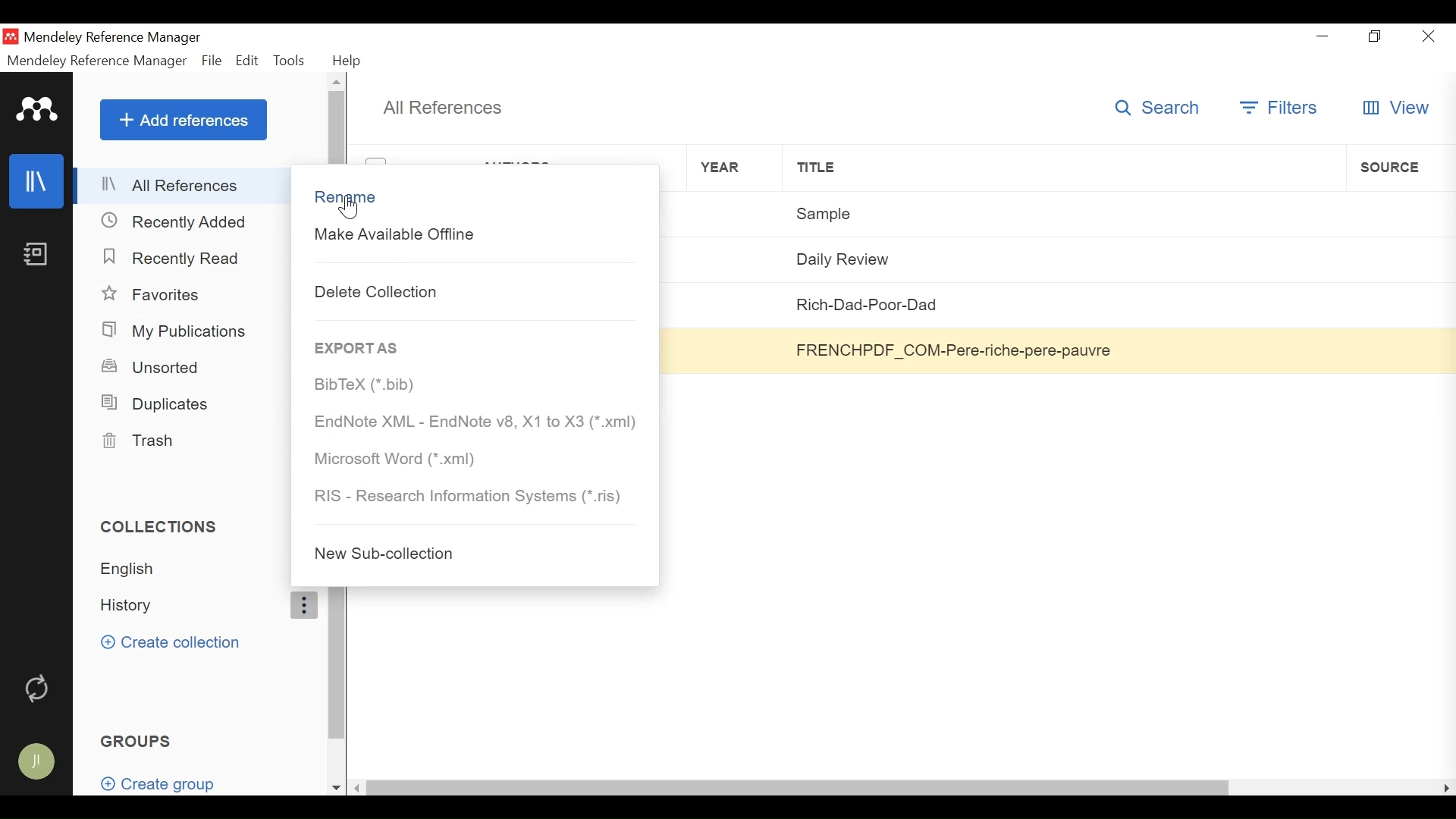 The height and width of the screenshot is (819, 1456). Describe the element at coordinates (1395, 108) in the screenshot. I see `View` at that location.